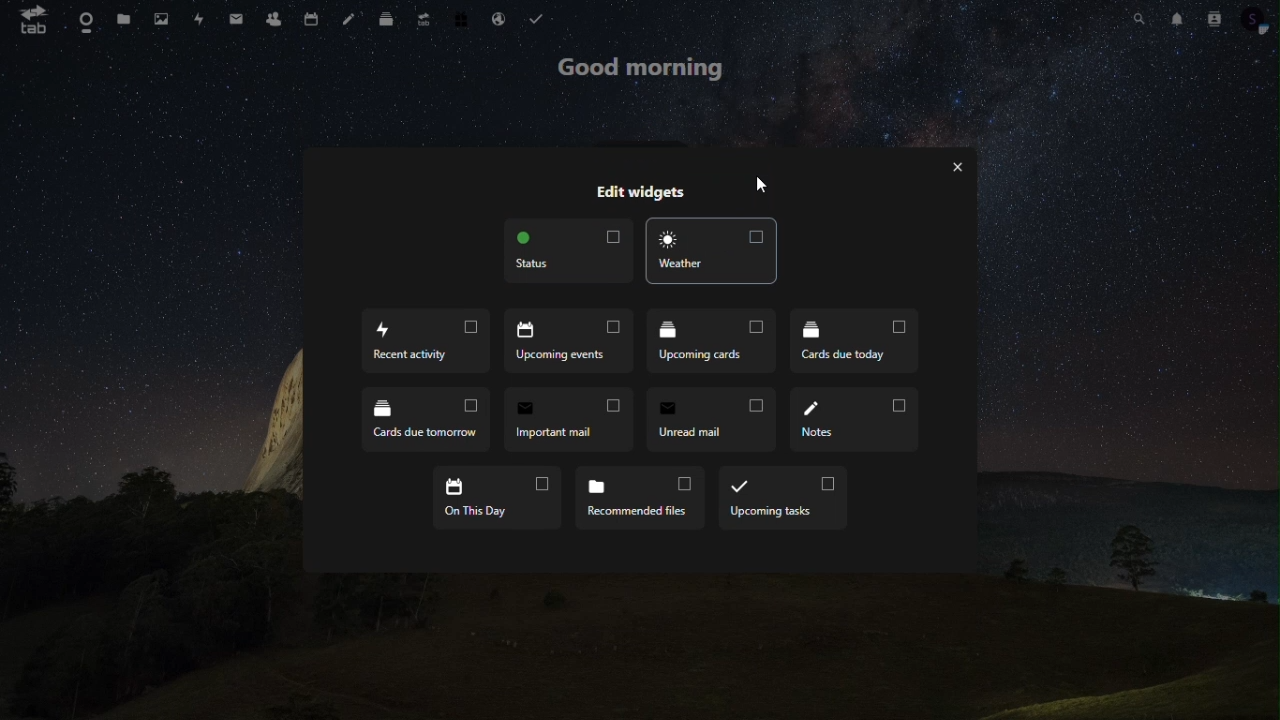 Image resolution: width=1280 pixels, height=720 pixels. I want to click on status, so click(571, 251).